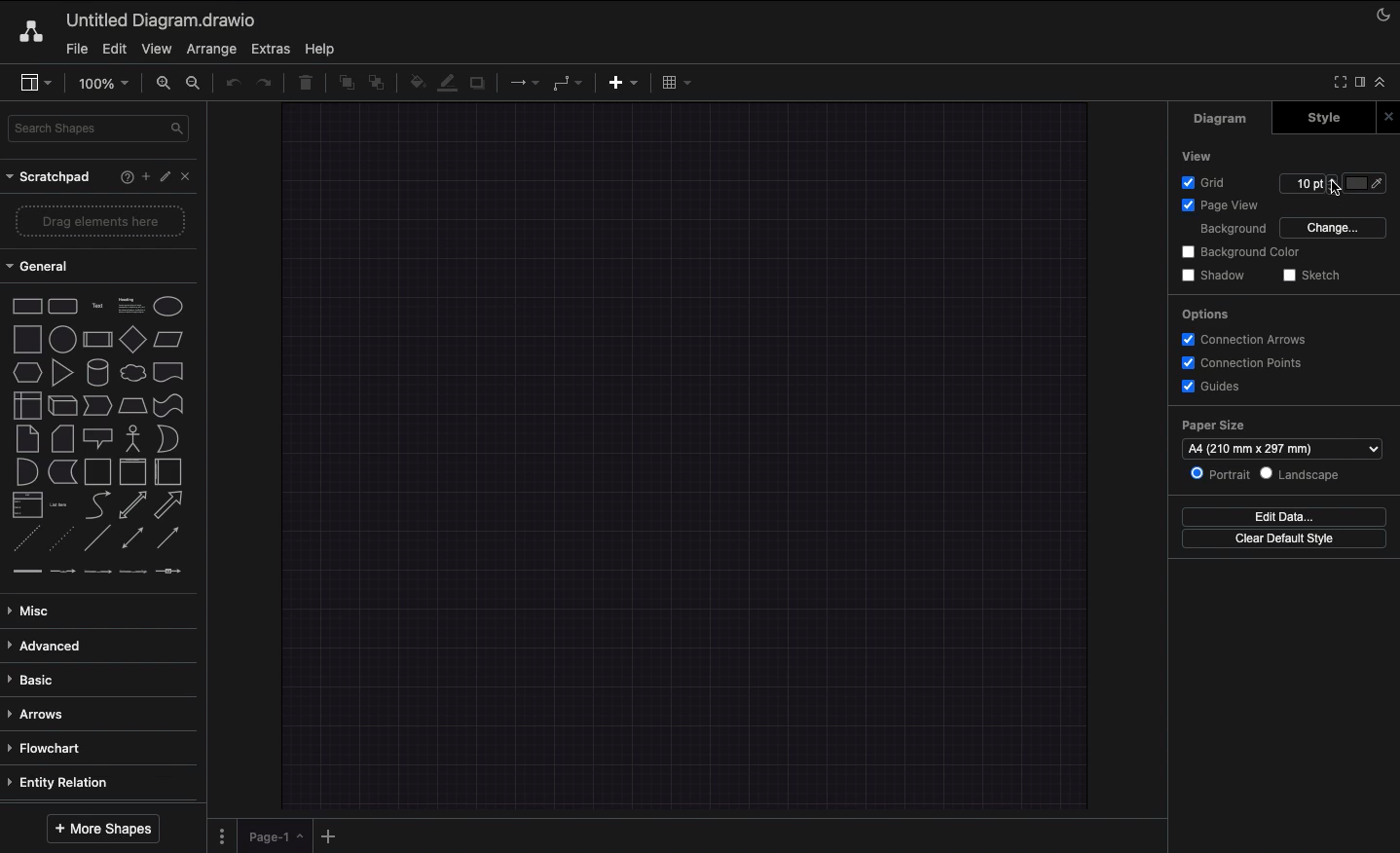 The width and height of the screenshot is (1400, 853). Describe the element at coordinates (1339, 190) in the screenshot. I see `cursor` at that location.